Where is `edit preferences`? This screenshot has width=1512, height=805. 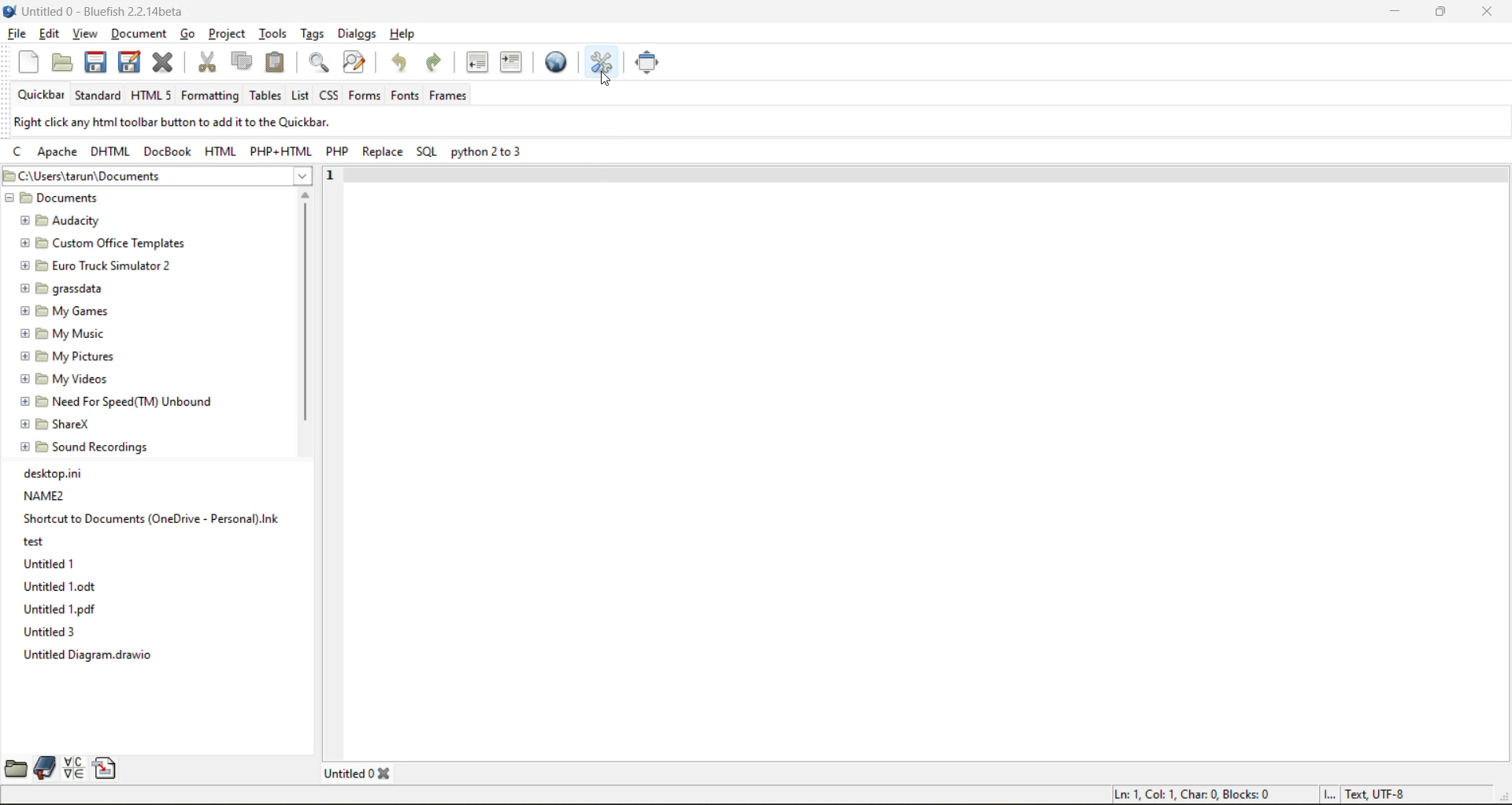
edit preferences is located at coordinates (603, 63).